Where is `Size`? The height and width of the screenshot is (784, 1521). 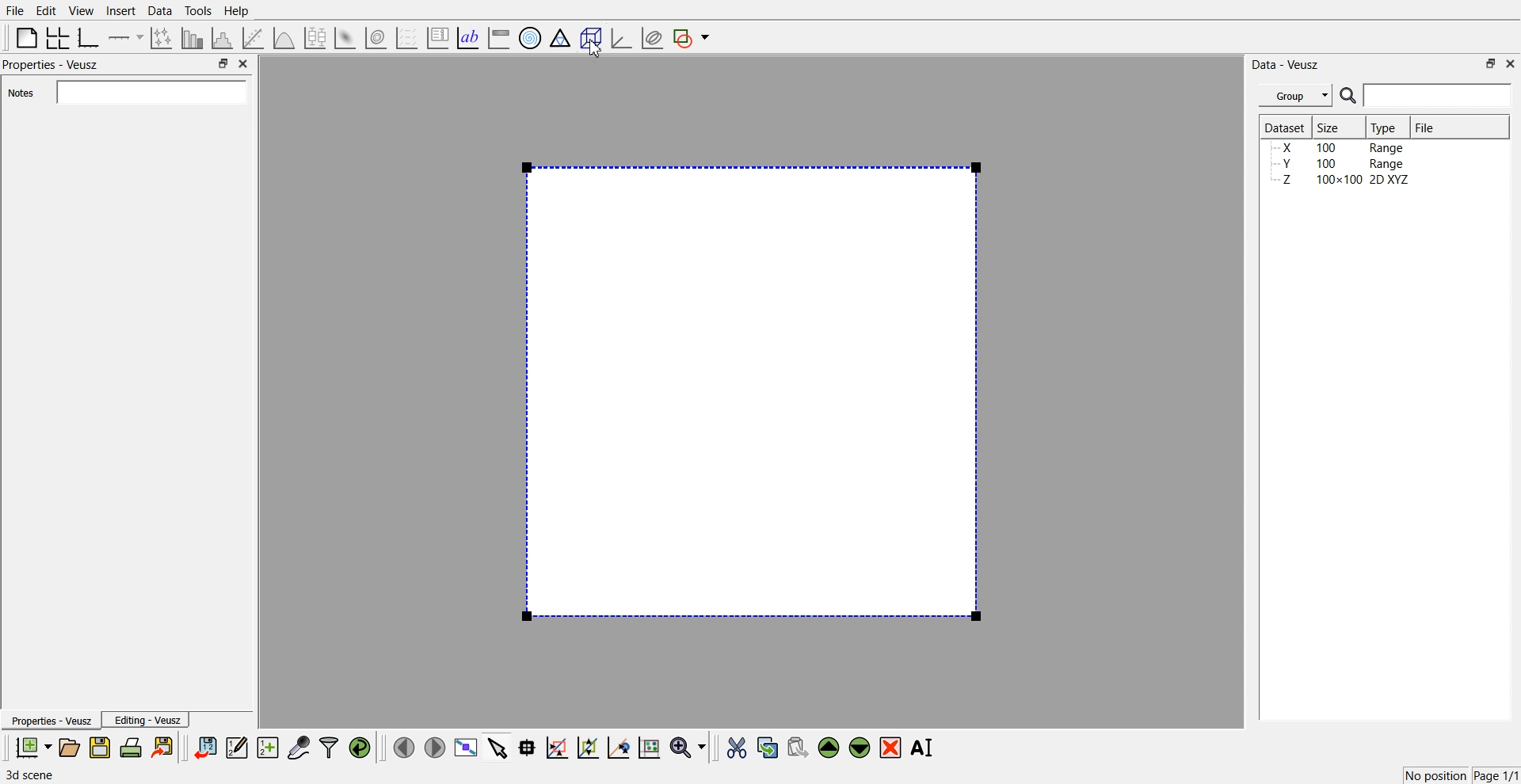
Size is located at coordinates (1331, 127).